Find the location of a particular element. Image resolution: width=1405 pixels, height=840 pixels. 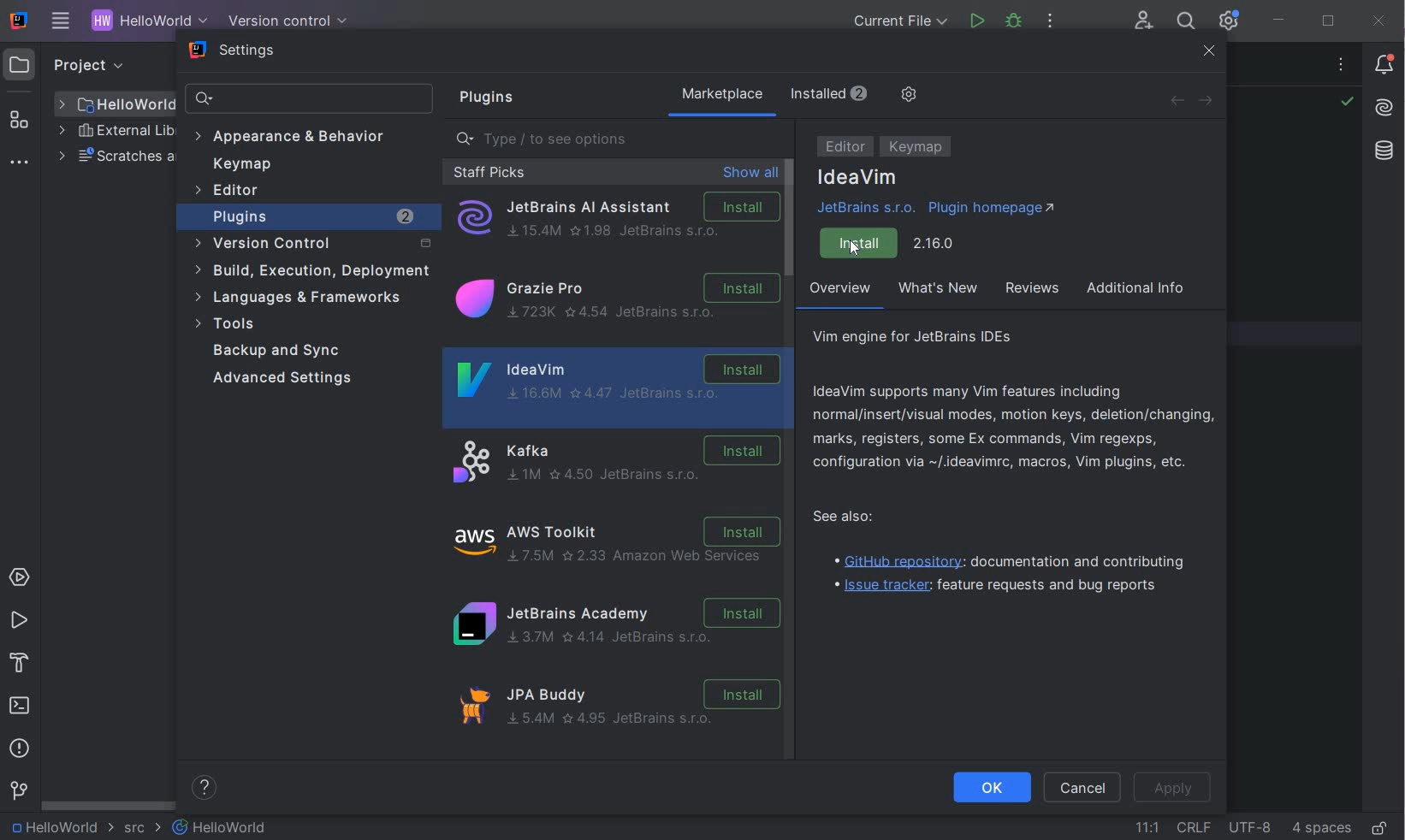

NOTIFICATIONS is located at coordinates (1385, 63).